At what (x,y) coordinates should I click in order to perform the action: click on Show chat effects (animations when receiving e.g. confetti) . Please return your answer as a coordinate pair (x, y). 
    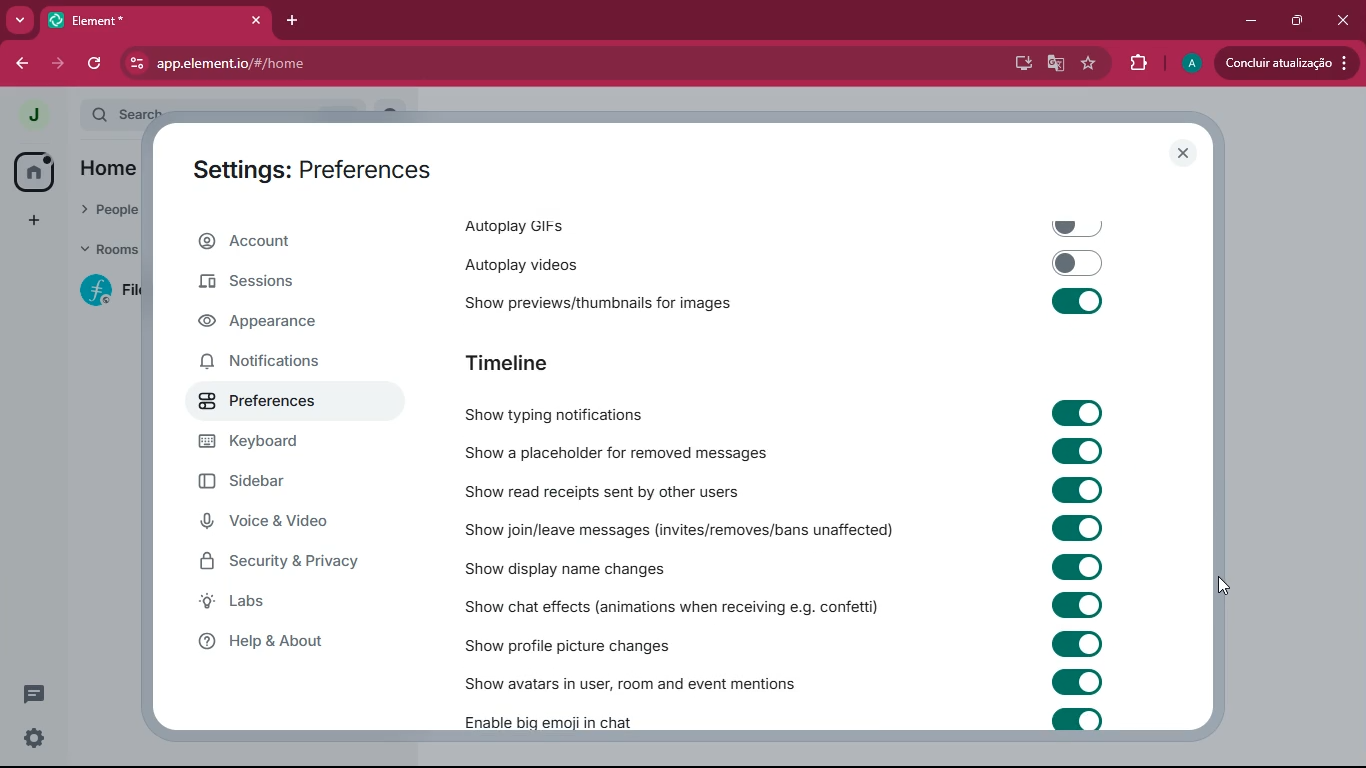
    Looking at the image, I should click on (793, 608).